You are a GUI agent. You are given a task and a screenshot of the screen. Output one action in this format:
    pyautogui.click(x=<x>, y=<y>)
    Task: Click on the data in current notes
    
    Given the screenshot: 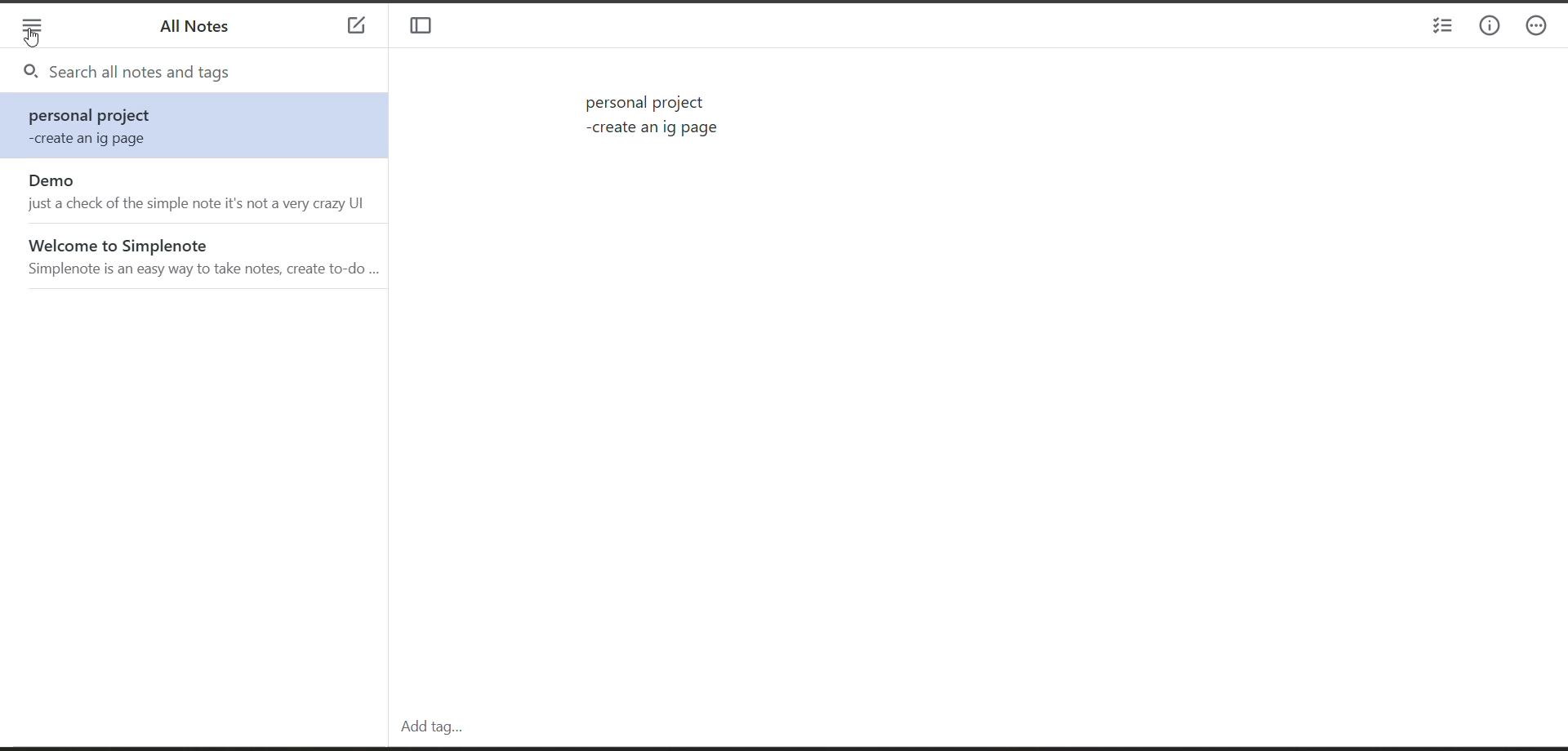 What is the action you would take?
    pyautogui.click(x=656, y=118)
    